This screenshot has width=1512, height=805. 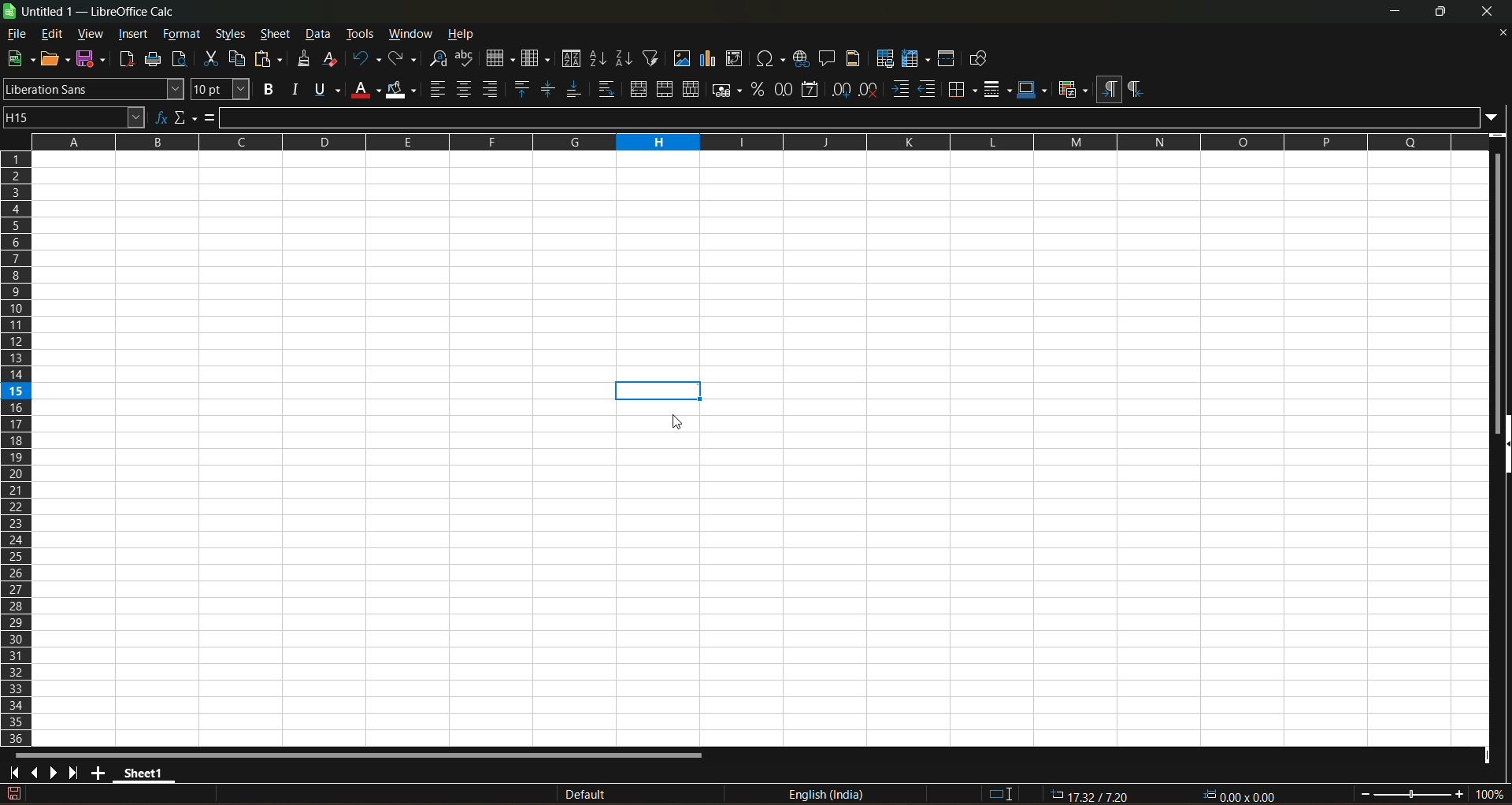 I want to click on background color, so click(x=399, y=90).